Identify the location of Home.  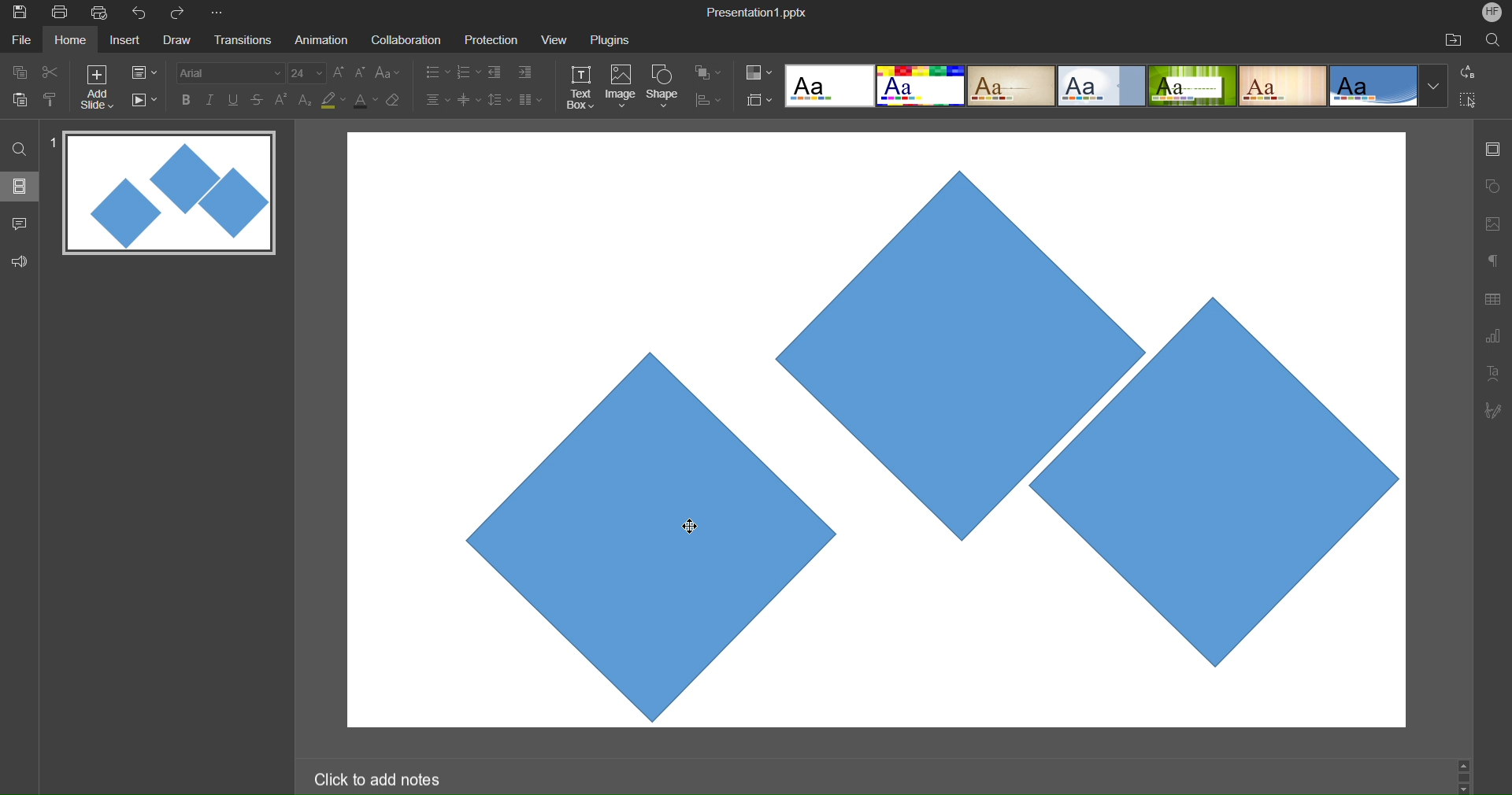
(70, 40).